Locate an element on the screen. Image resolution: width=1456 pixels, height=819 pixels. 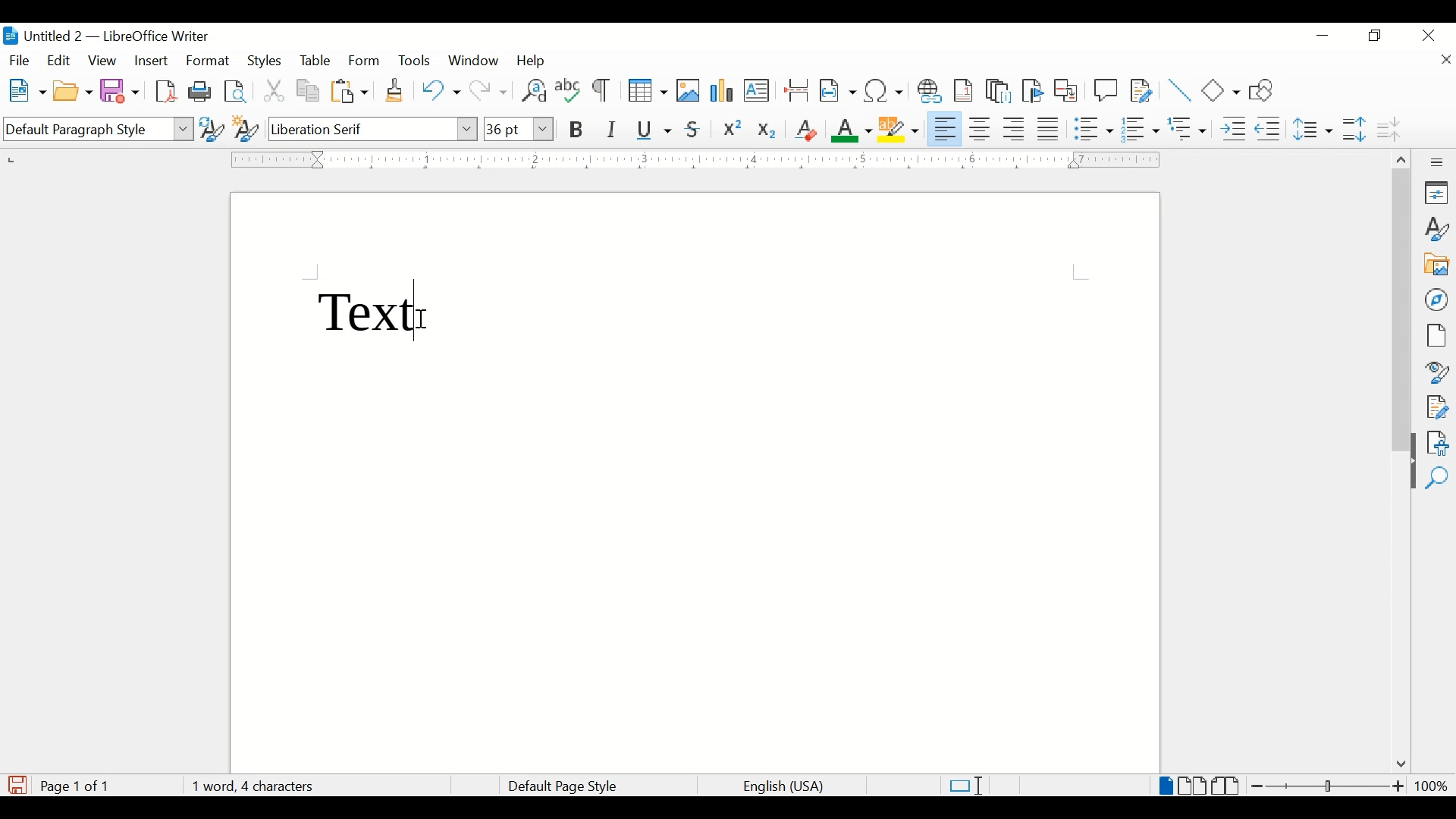
window is located at coordinates (475, 61).